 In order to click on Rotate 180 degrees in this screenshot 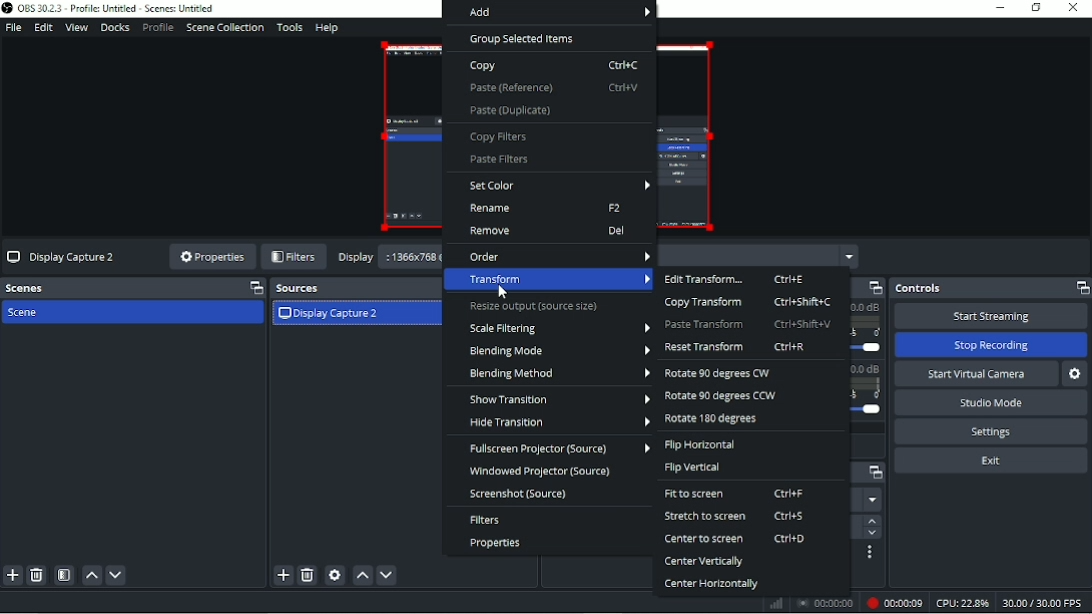, I will do `click(714, 420)`.